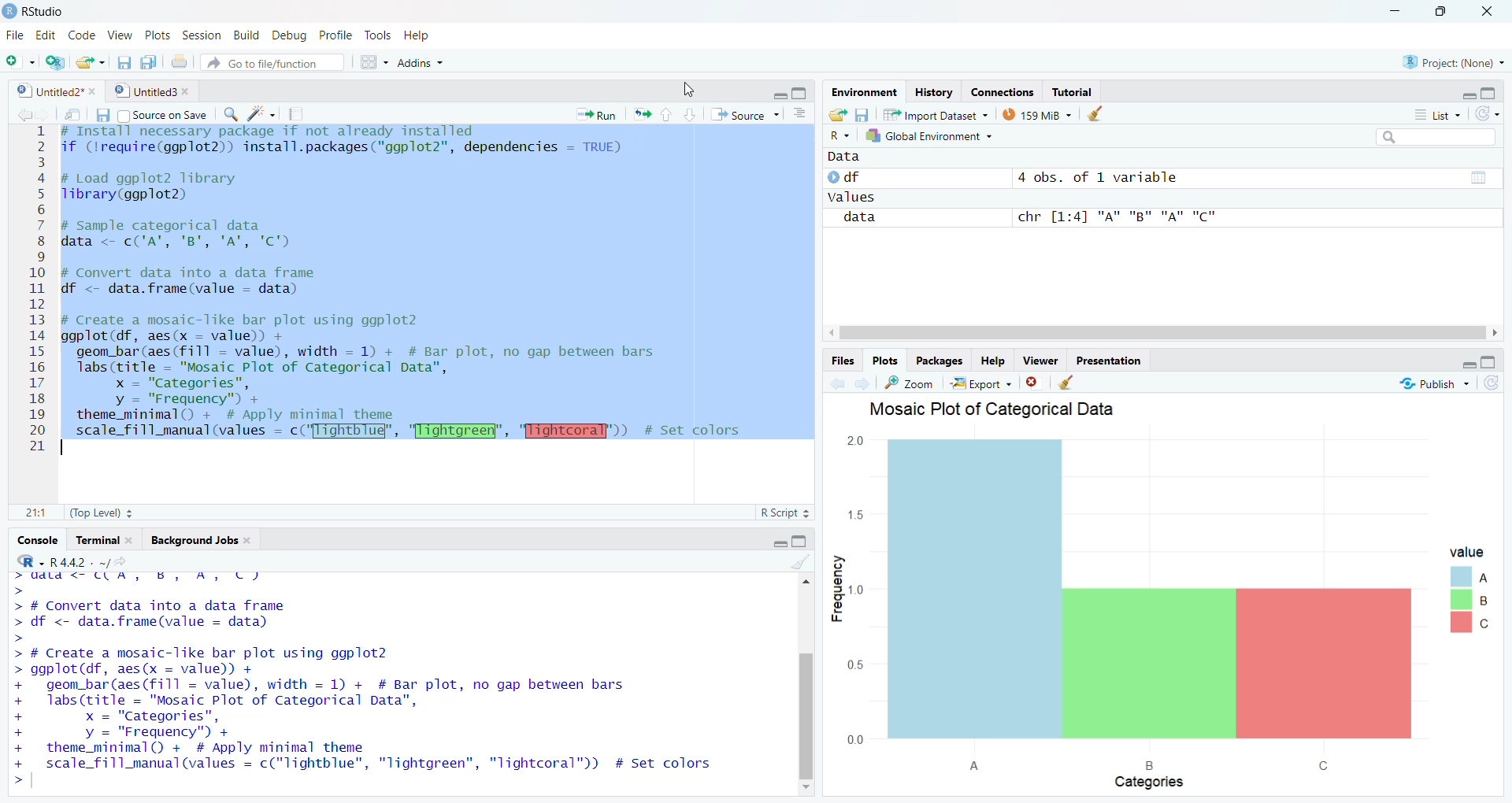 This screenshot has width=1512, height=803. Describe the element at coordinates (373, 717) in the screenshot. I see `> # Create a mosaic-like bar plot using ggplot2

> ggplot(df, aes(x = value)) +

+ geom_bar(aes(fi1l = value), width = 1) + # Bar plot, no gap between bars

+ labs(title = "Mosaic Plot of Categorical Data",

+ x = "Categories",

+ y = "Frequency") +

+ theme_minimal() + # Apply minimal theme

+ scale_fill_manual(values = c("lightblue", "Tightgreen", "lightcoral™)) # Set colors
>|` at that location.